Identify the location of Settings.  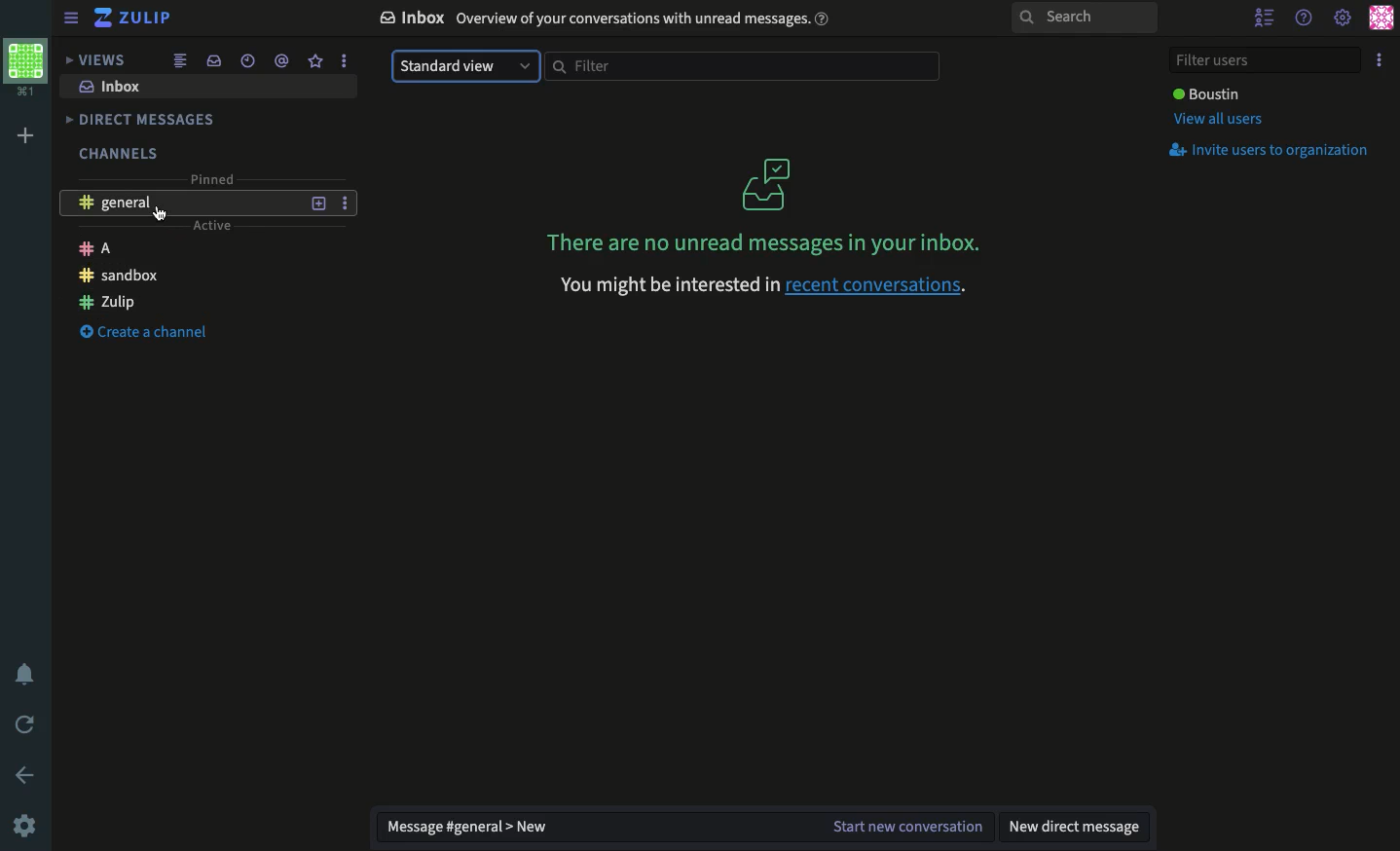
(1343, 19).